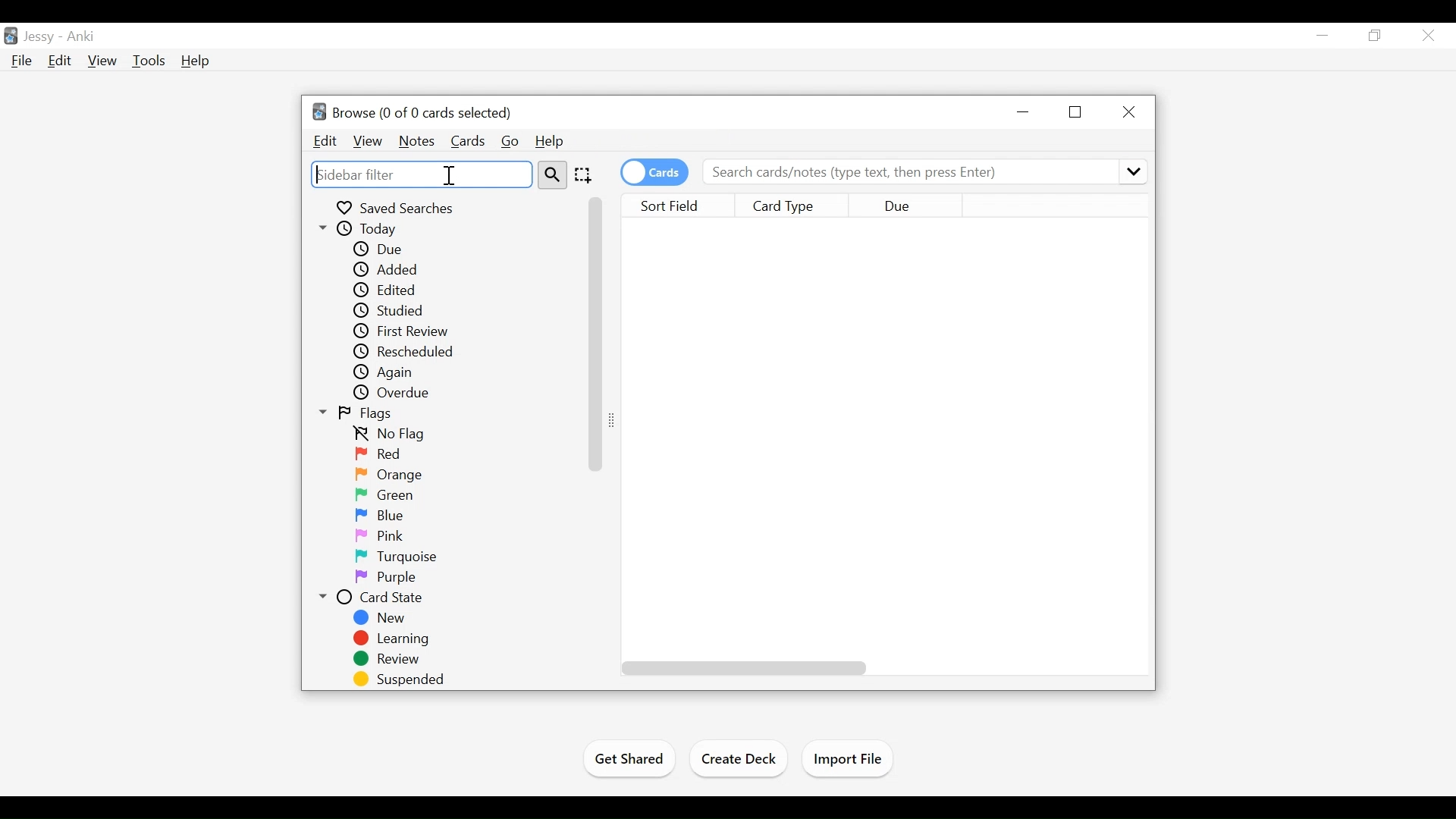 The image size is (1456, 819). I want to click on Today, so click(366, 230).